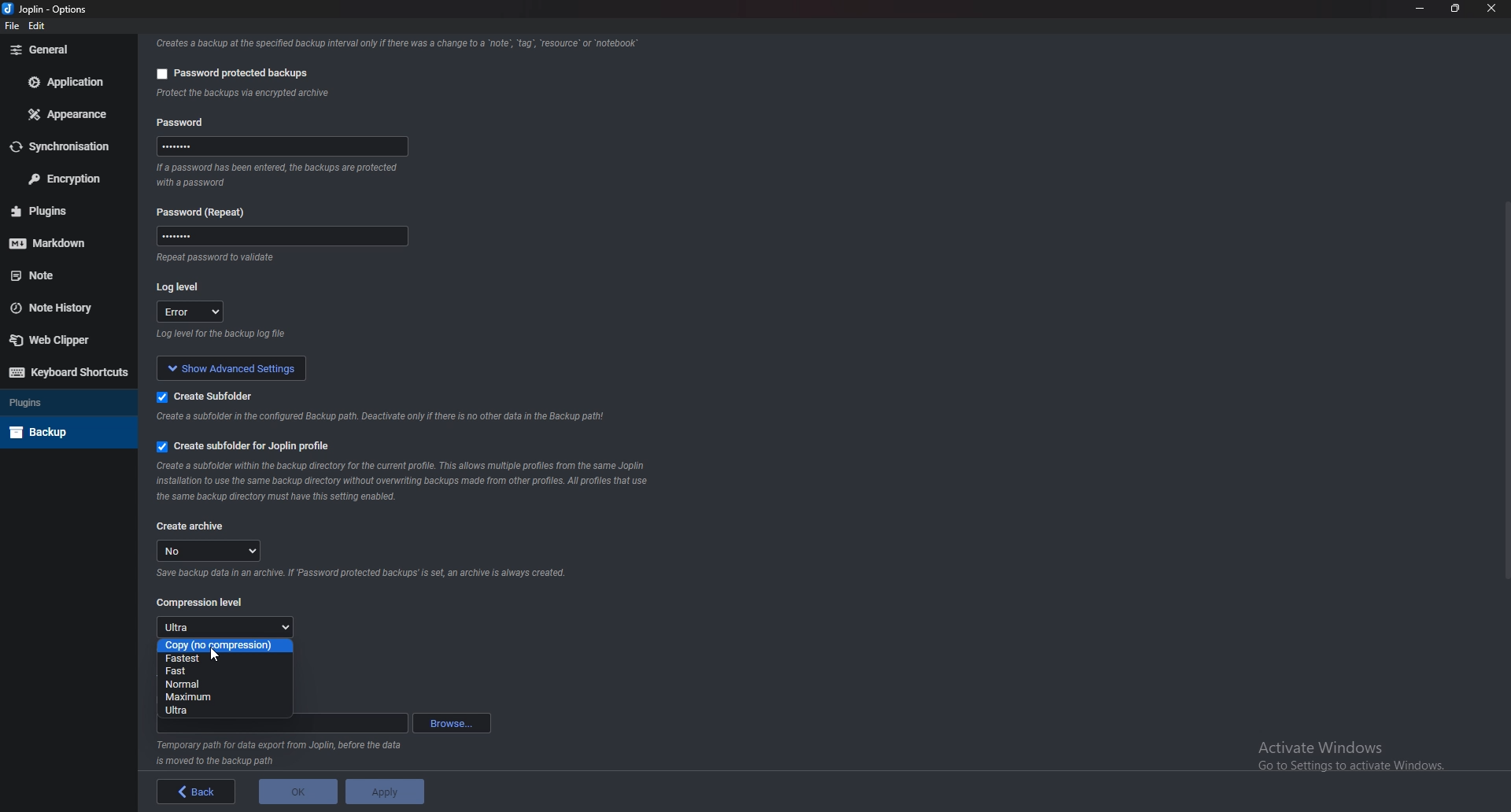 The height and width of the screenshot is (812, 1511). I want to click on password, so click(286, 146).